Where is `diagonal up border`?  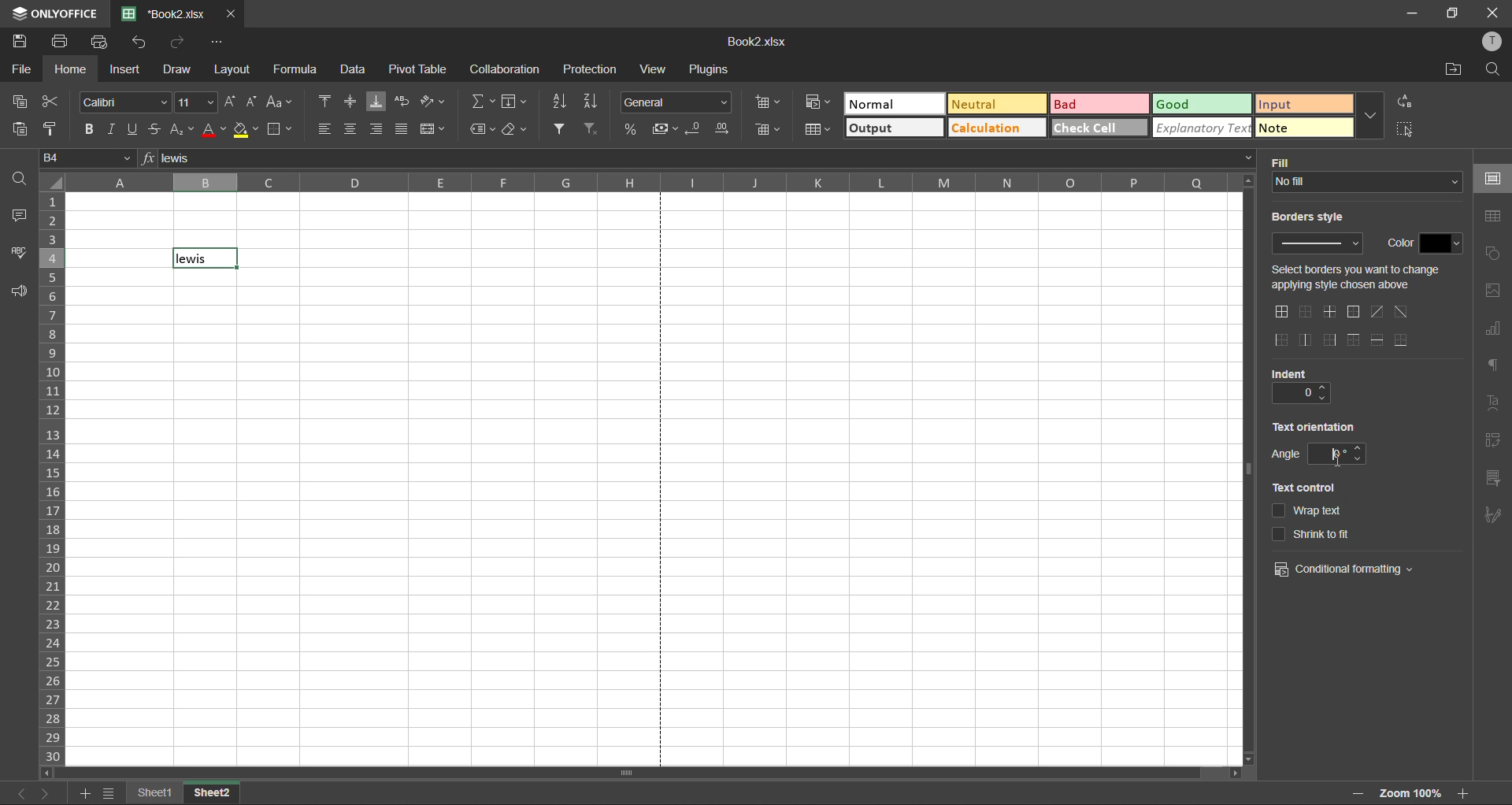 diagonal up border is located at coordinates (1375, 312).